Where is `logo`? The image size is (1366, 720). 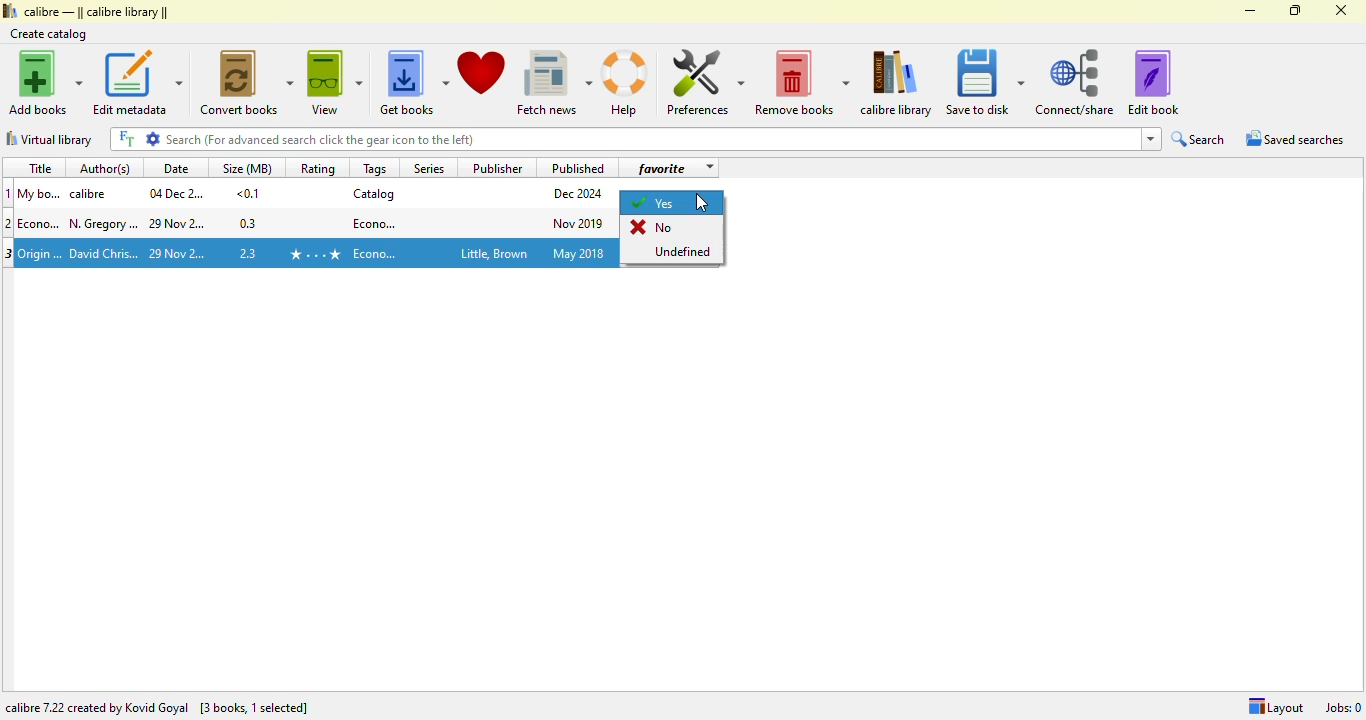
logo is located at coordinates (9, 10).